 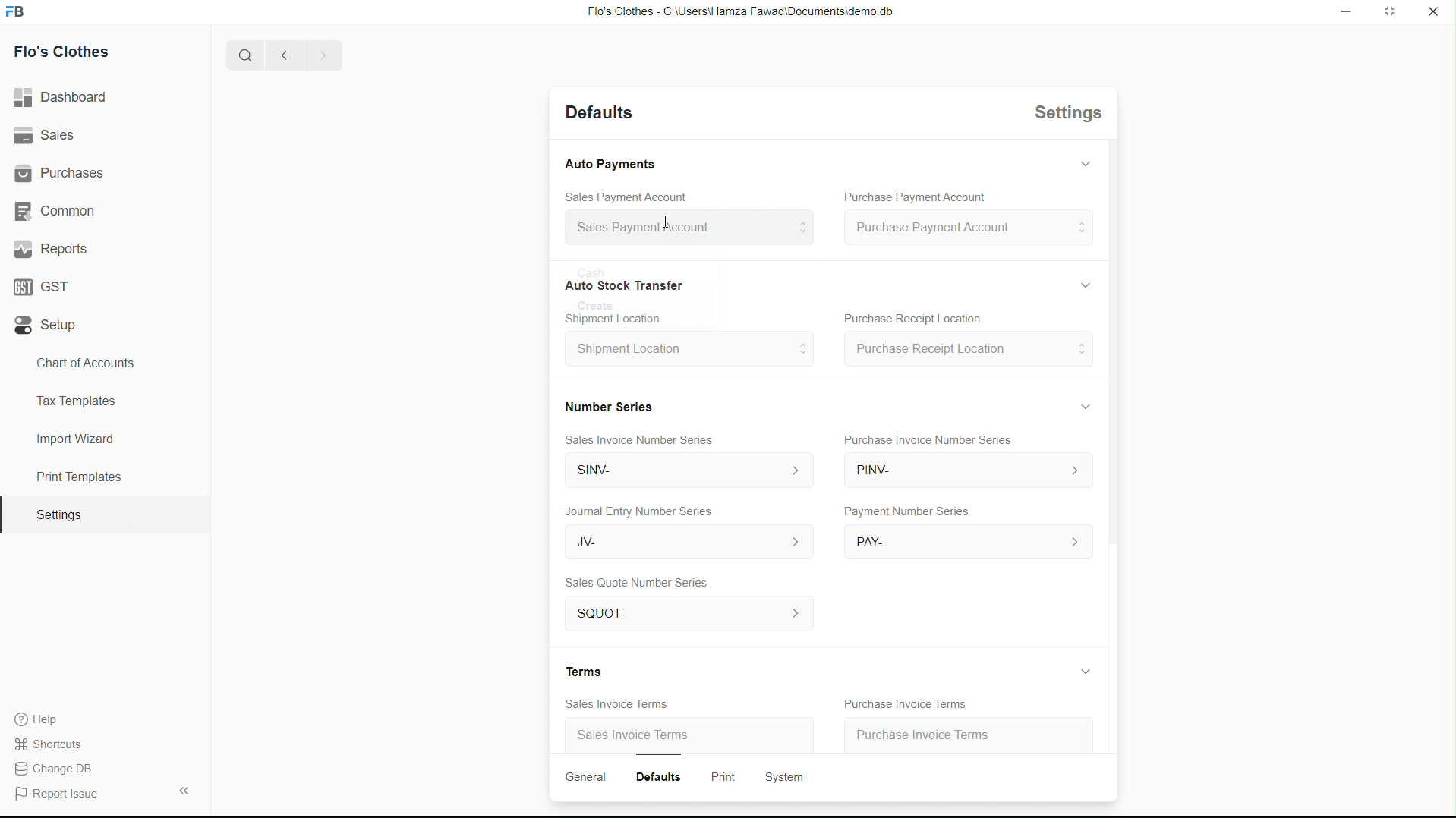 What do you see at coordinates (969, 543) in the screenshot?
I see `PAY-` at bounding box center [969, 543].